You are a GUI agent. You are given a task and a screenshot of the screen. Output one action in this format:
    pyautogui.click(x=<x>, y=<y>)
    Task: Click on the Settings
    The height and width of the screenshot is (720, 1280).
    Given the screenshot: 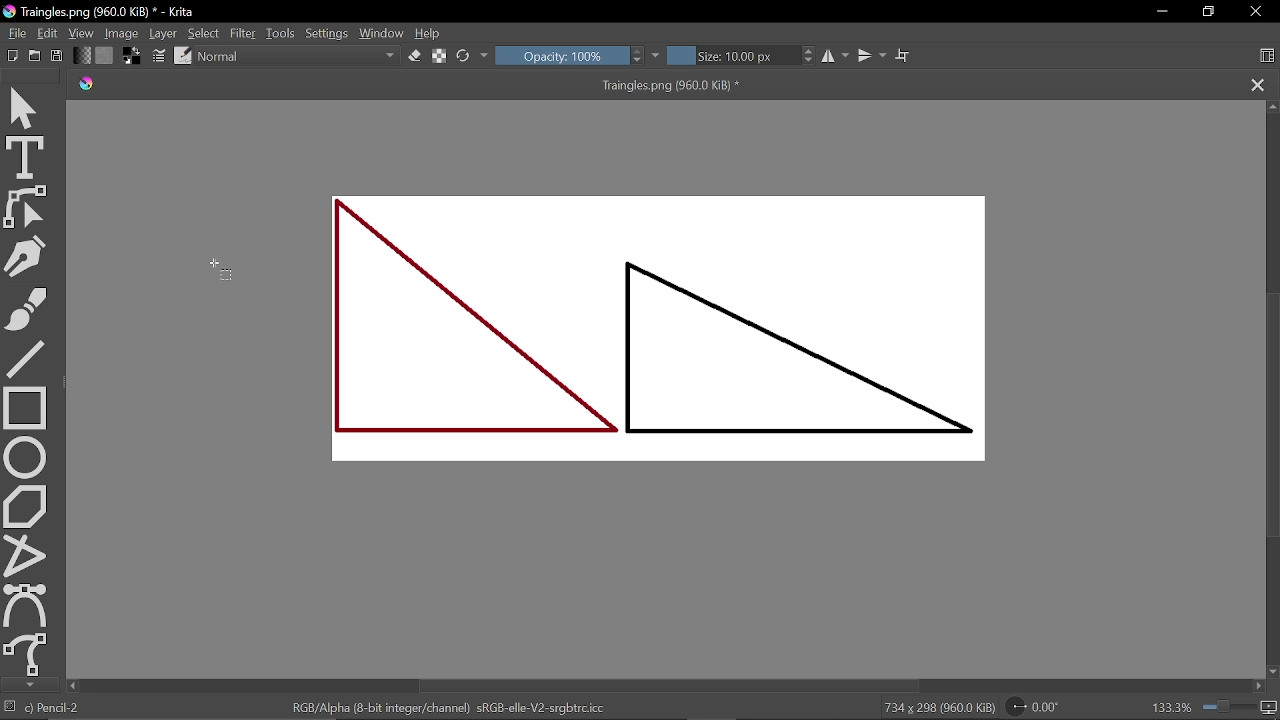 What is the action you would take?
    pyautogui.click(x=327, y=31)
    